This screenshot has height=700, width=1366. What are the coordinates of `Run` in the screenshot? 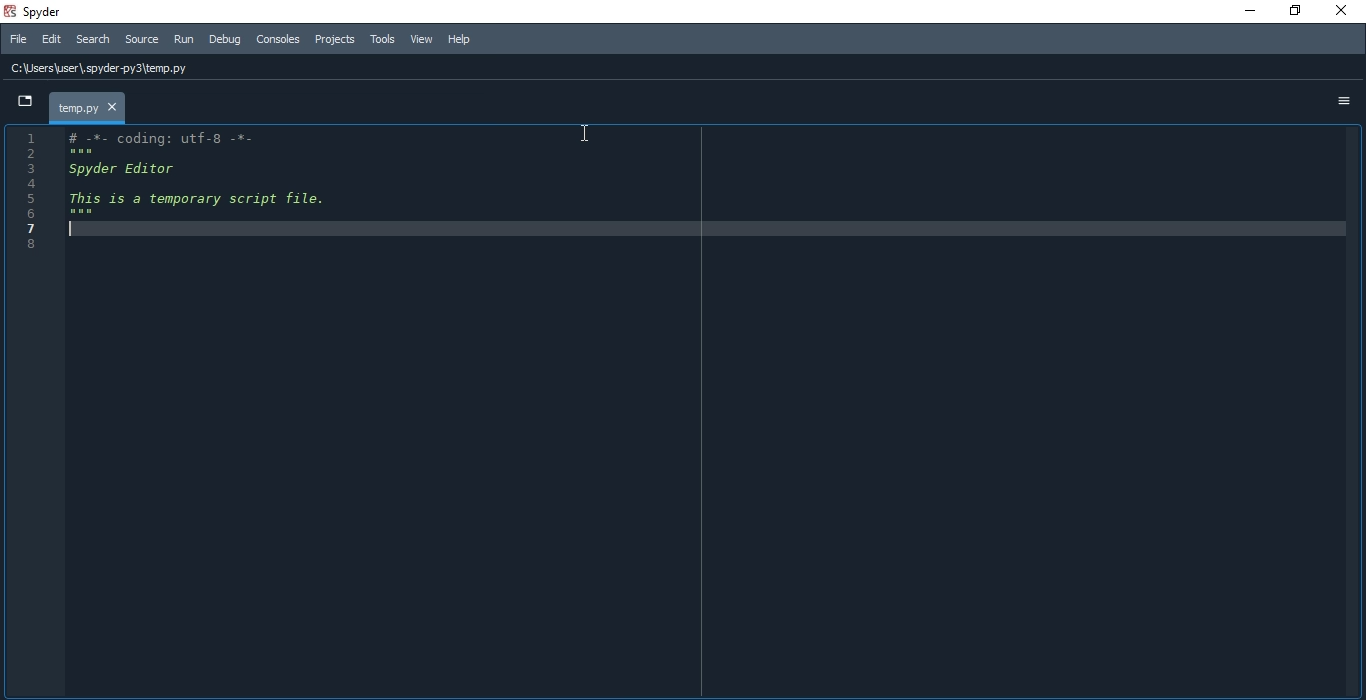 It's located at (182, 40).